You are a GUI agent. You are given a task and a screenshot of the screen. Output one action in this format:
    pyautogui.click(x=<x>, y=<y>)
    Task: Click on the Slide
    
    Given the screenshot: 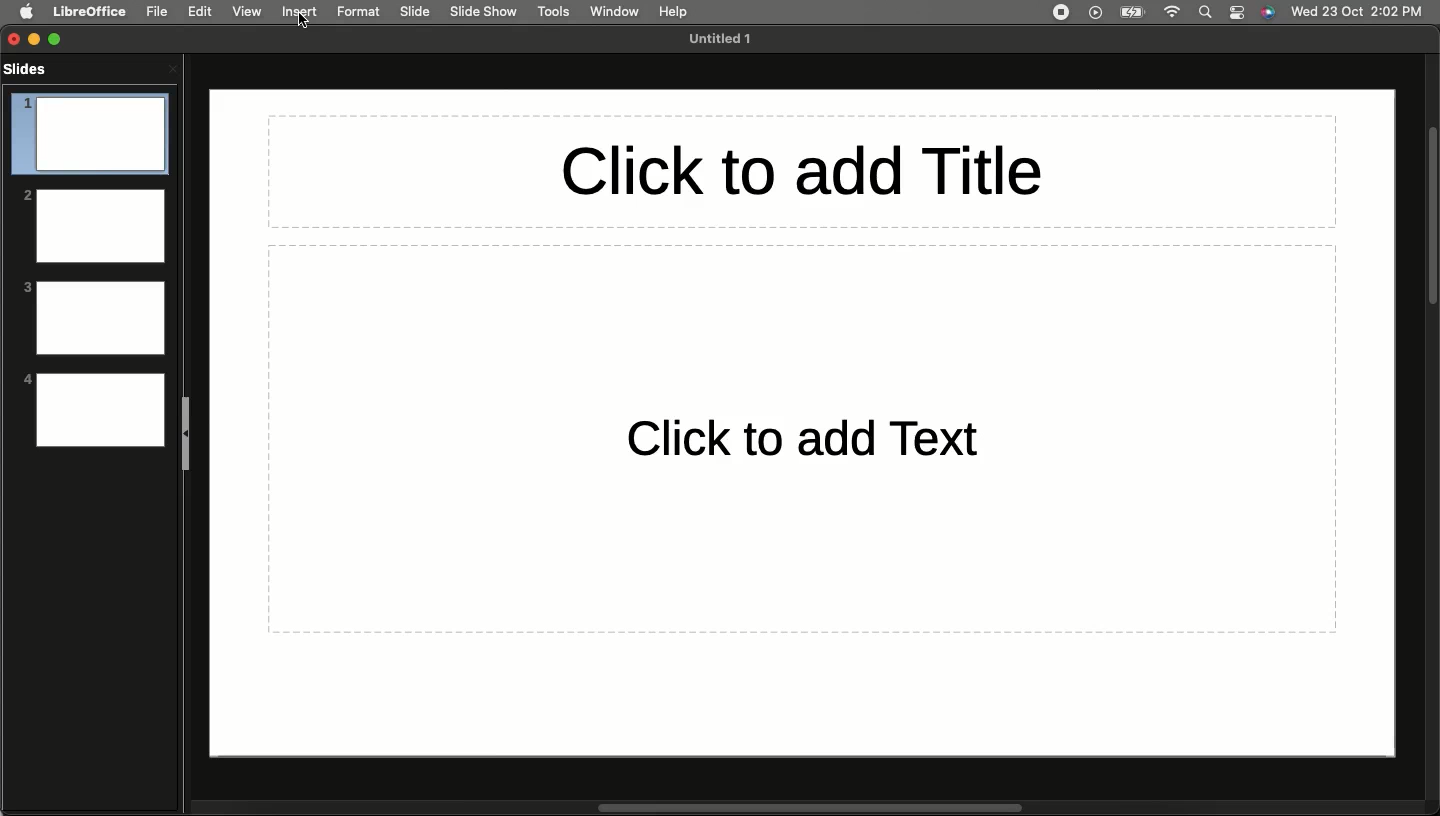 What is the action you would take?
    pyautogui.click(x=416, y=12)
    